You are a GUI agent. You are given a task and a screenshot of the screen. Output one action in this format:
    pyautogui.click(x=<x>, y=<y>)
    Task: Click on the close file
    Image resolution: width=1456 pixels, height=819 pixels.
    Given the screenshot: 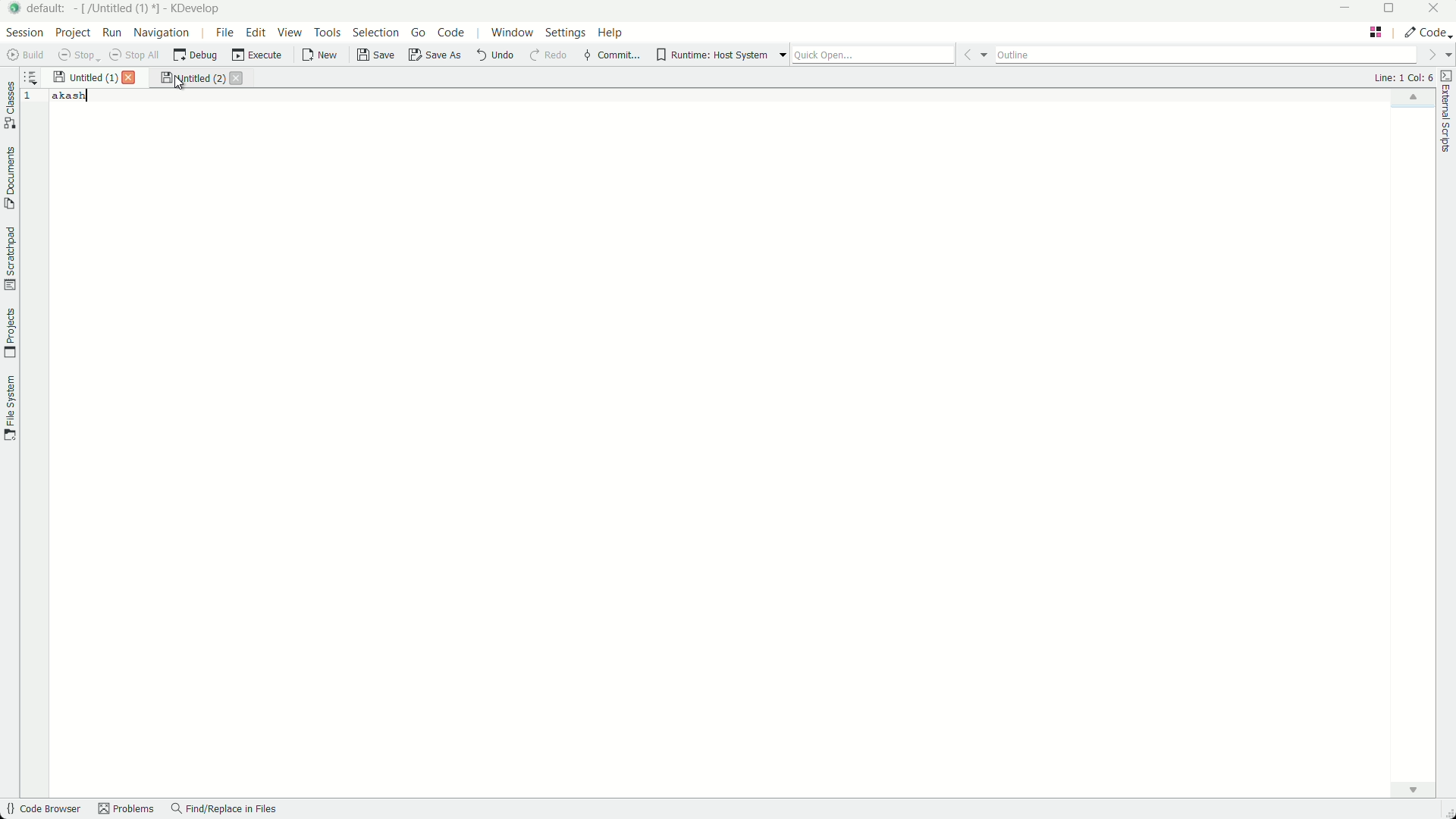 What is the action you would take?
    pyautogui.click(x=130, y=79)
    